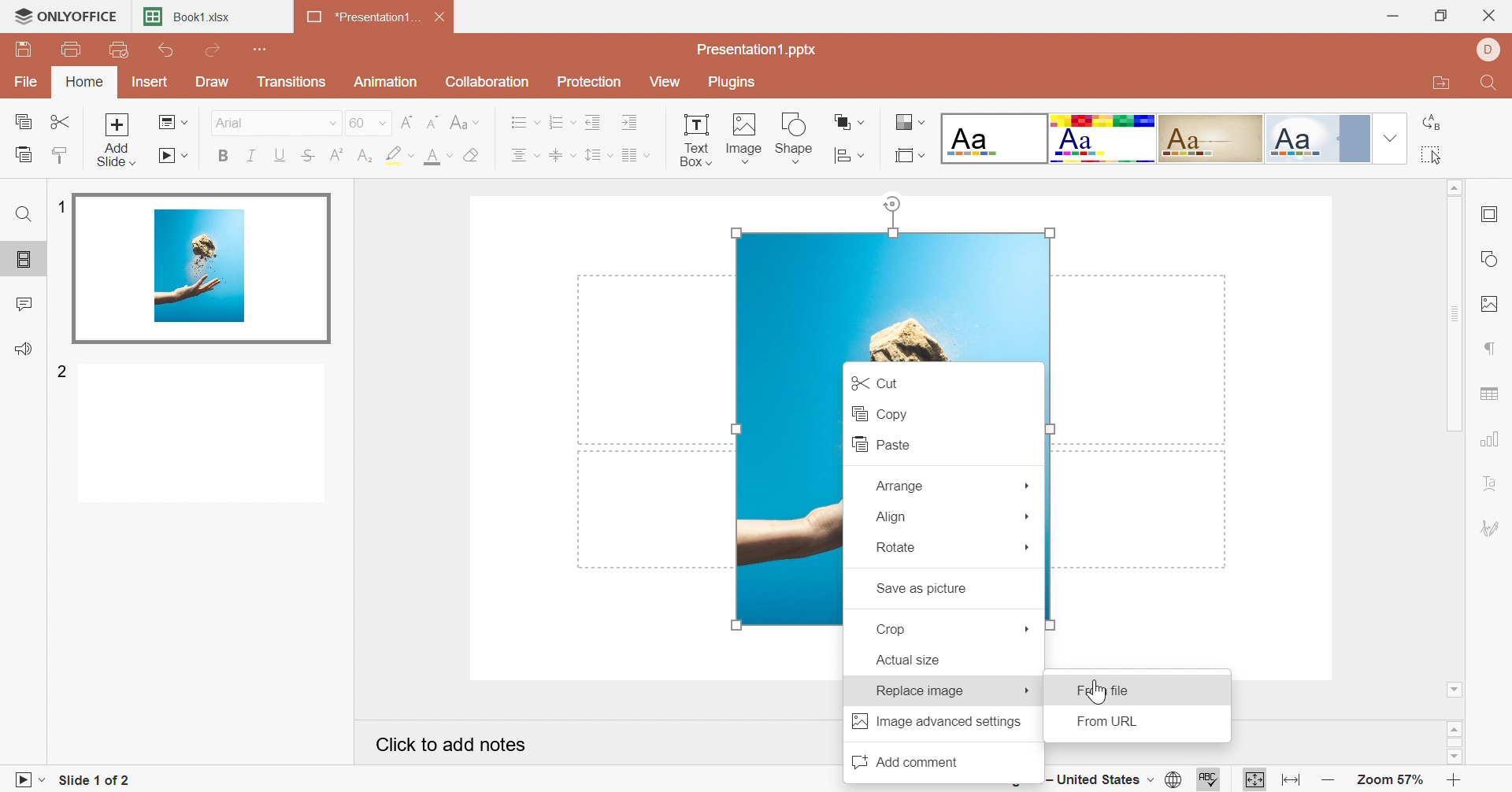  I want to click on Copy, so click(878, 413).